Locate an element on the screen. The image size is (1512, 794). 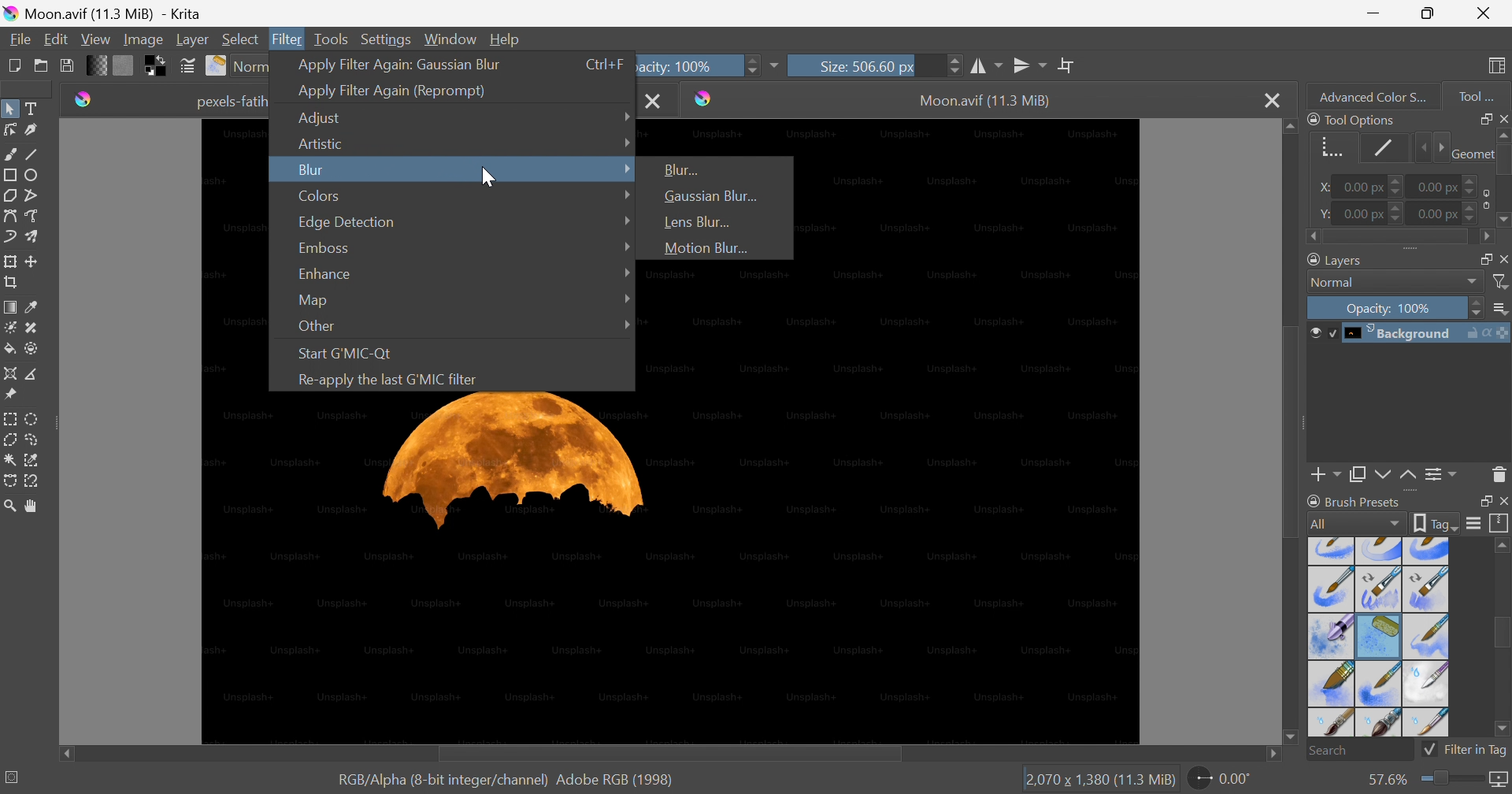
Blur is located at coordinates (312, 169).